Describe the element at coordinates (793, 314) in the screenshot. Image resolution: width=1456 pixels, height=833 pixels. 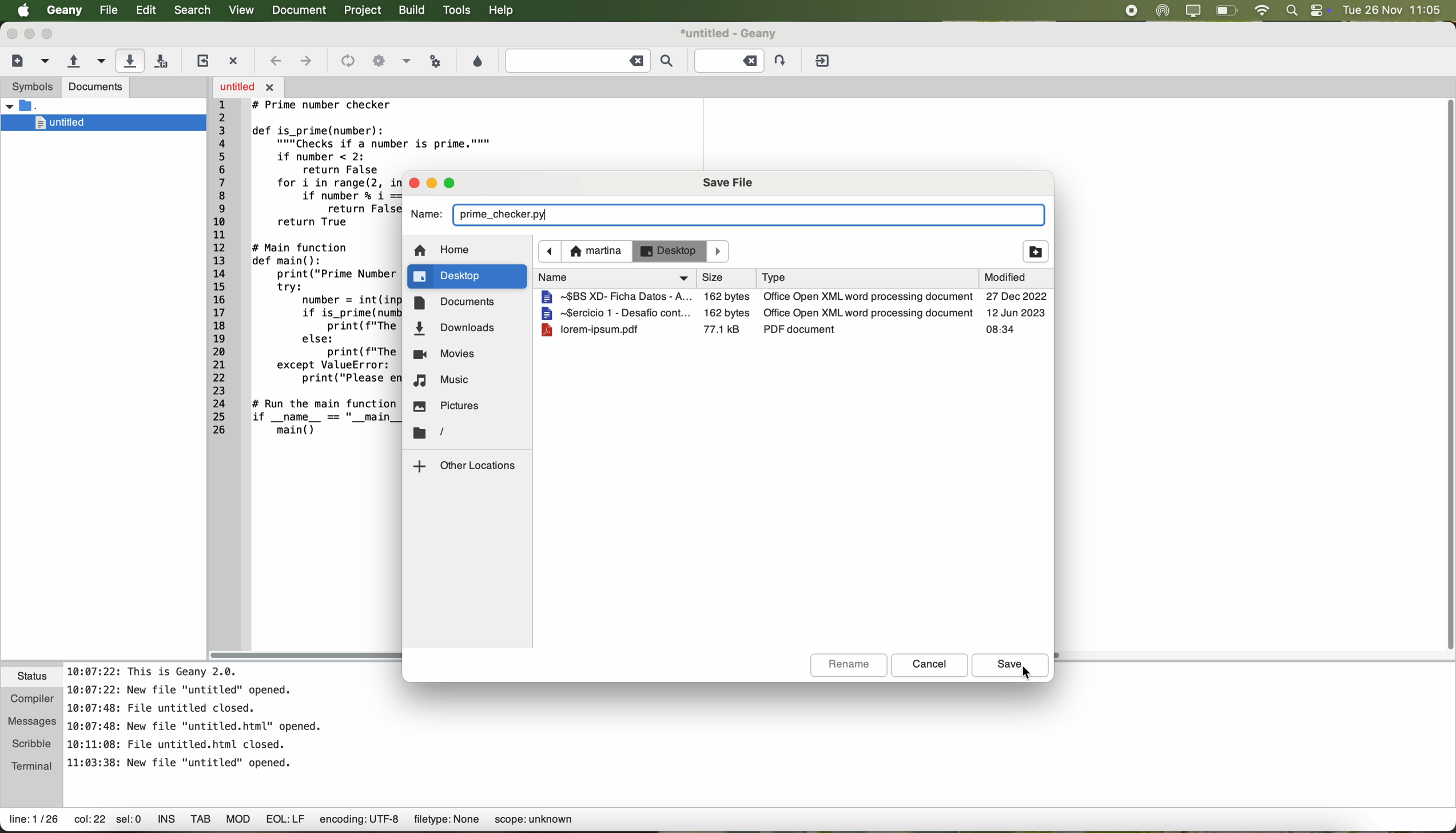
I see `file` at that location.